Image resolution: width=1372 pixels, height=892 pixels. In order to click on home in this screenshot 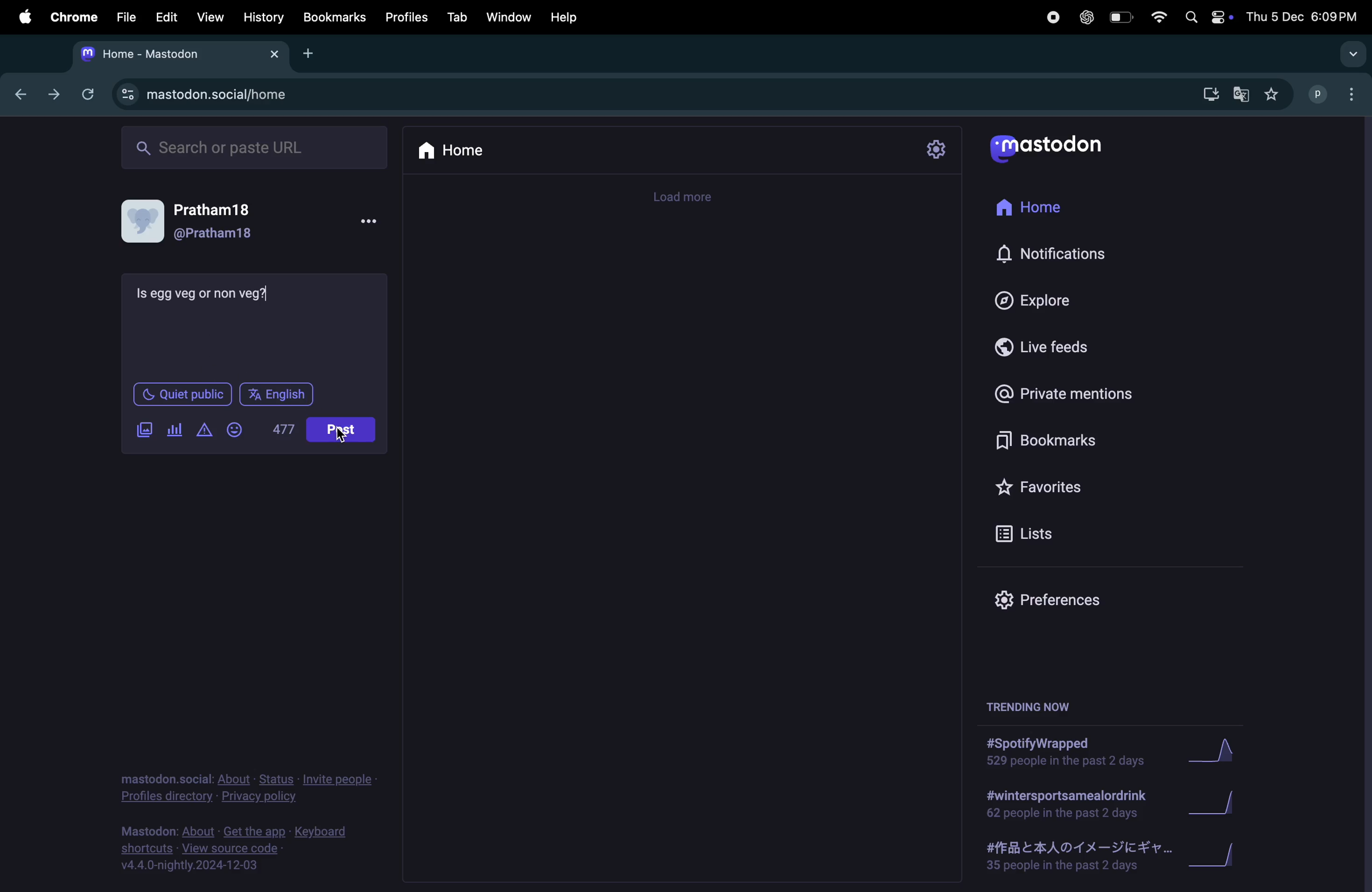, I will do `click(452, 149)`.